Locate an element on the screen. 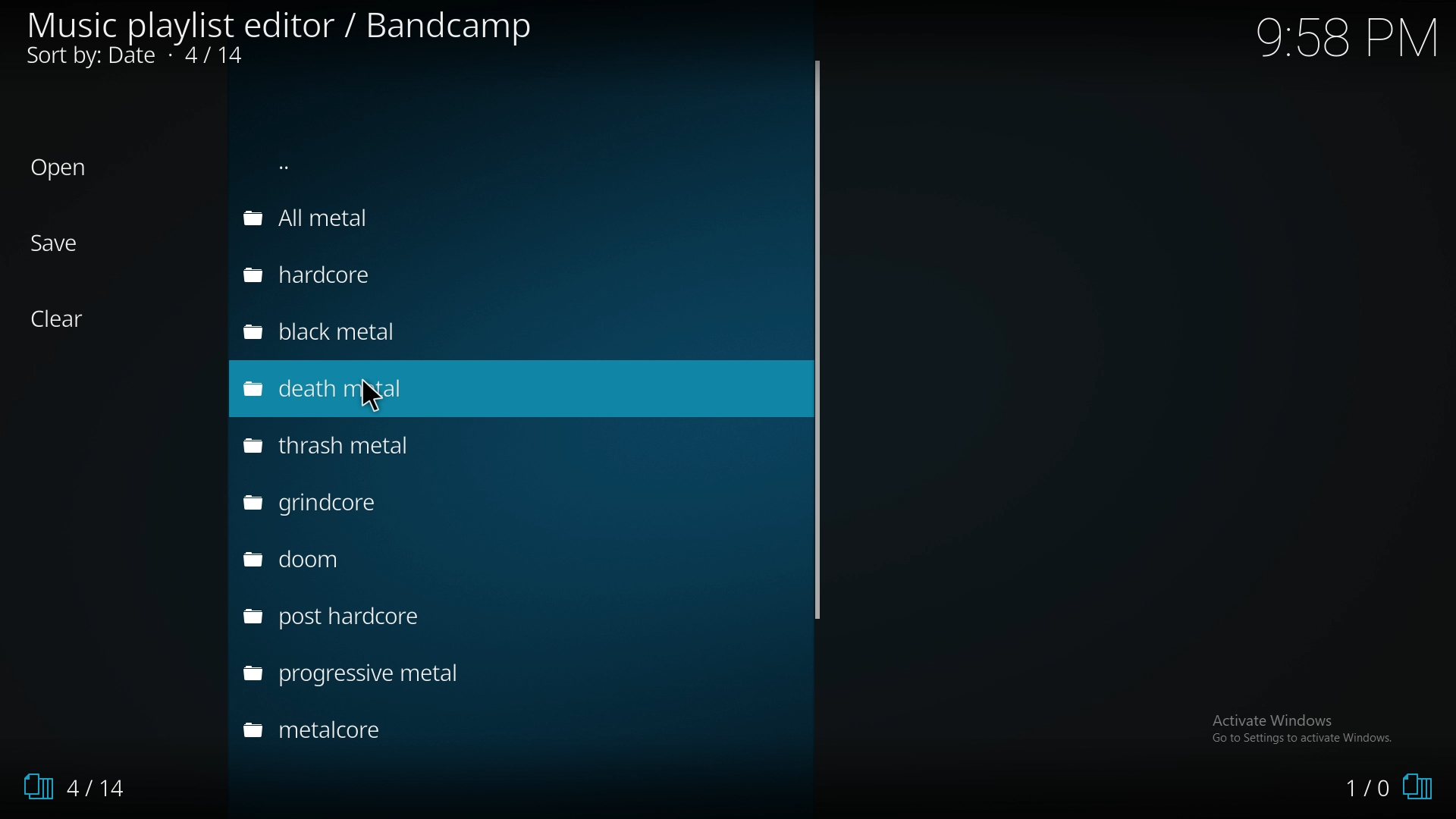 This screenshot has width=1456, height=819. music genre is located at coordinates (372, 613).